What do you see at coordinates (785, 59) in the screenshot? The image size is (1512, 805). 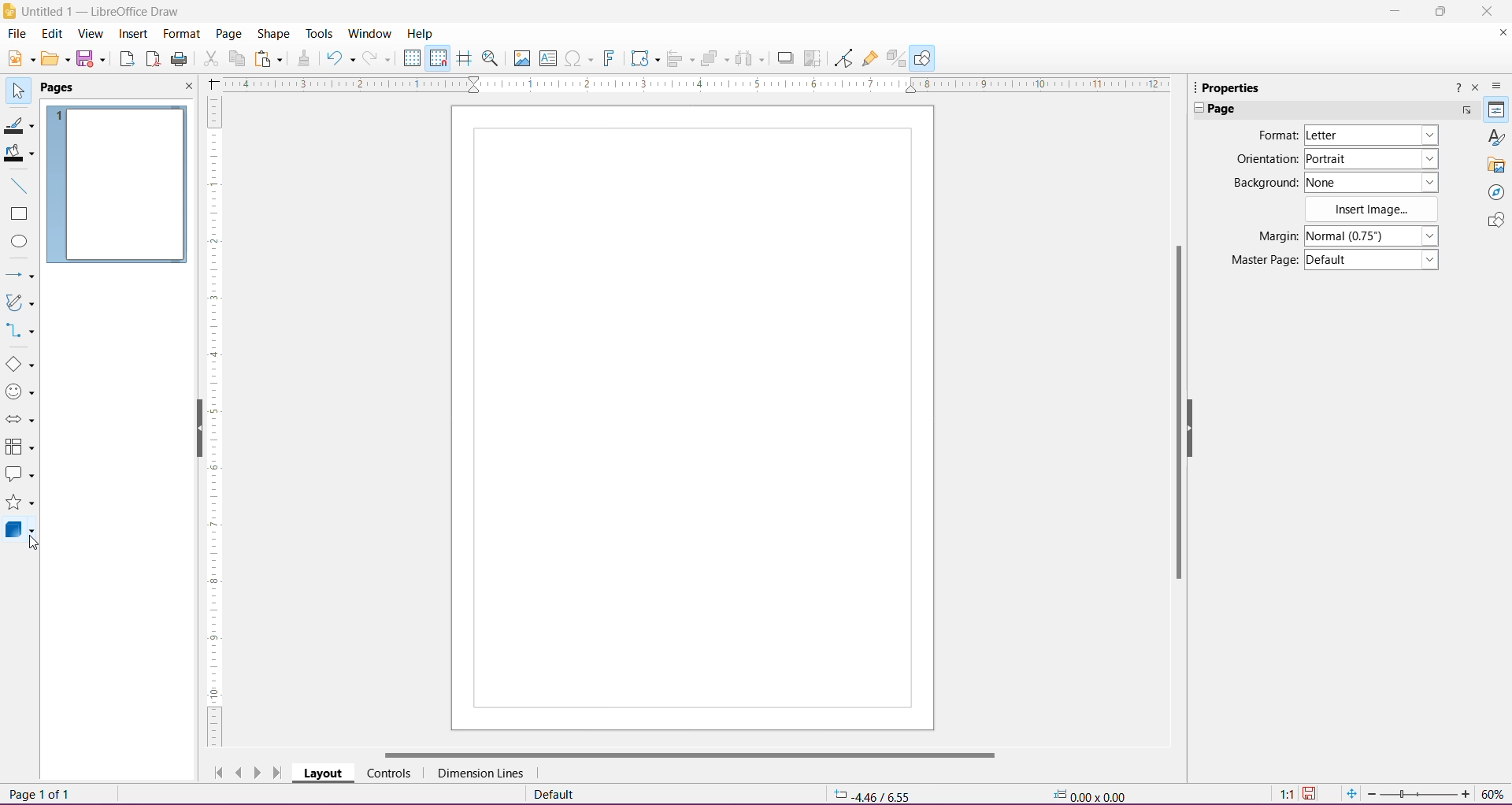 I see `Shadow` at bounding box center [785, 59].